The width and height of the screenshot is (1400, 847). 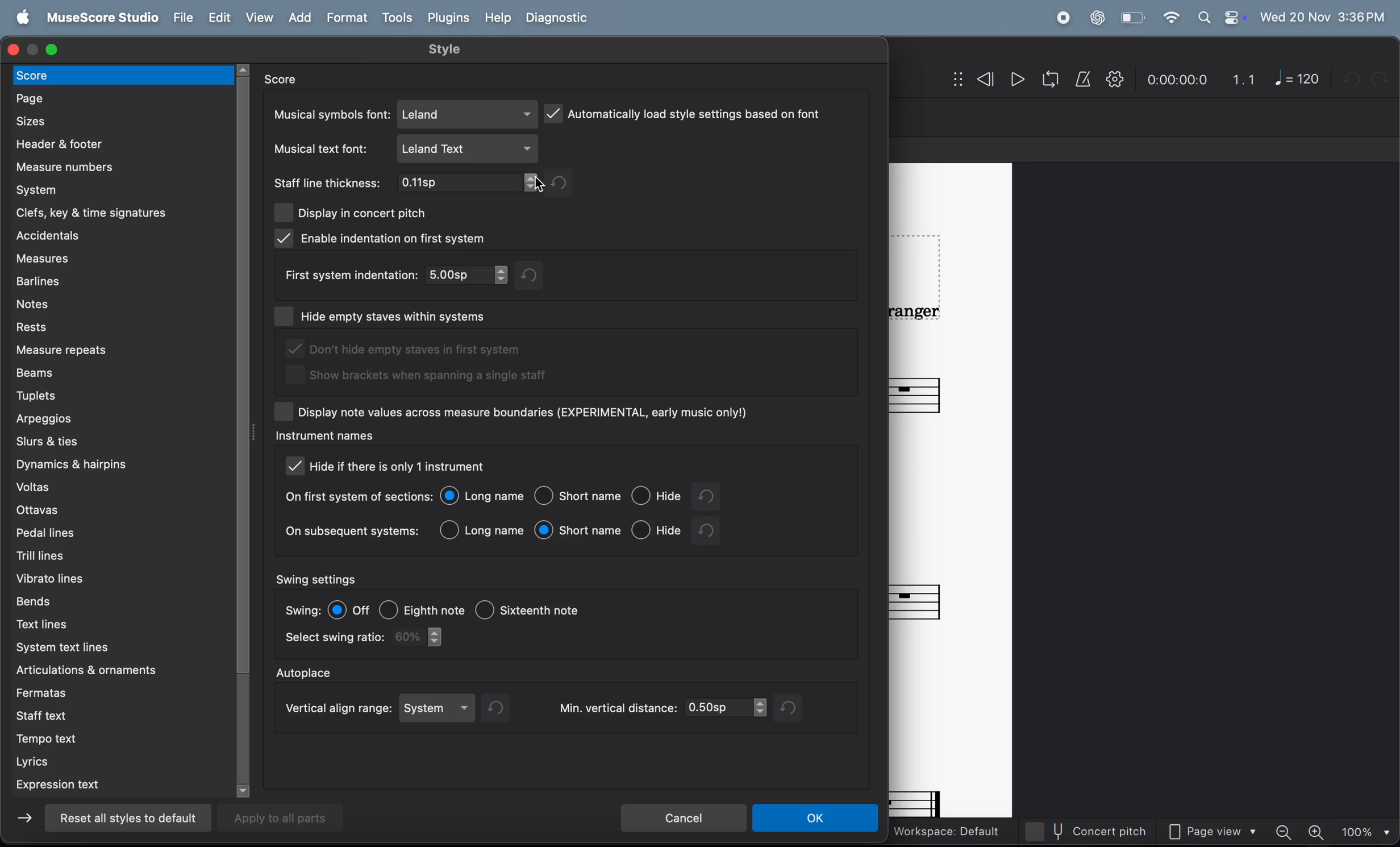 What do you see at coordinates (660, 708) in the screenshot?
I see `min vertical distance` at bounding box center [660, 708].